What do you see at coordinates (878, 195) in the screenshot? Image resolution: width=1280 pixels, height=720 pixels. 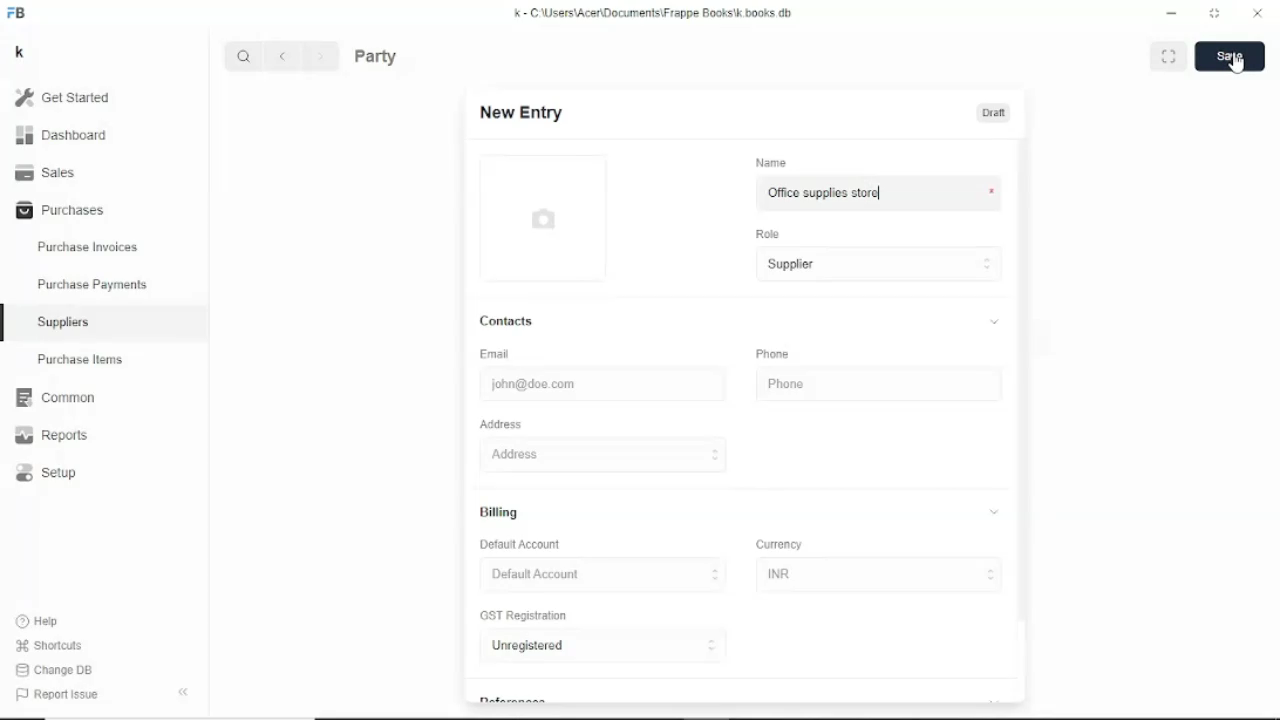 I see `Office supplies store` at bounding box center [878, 195].